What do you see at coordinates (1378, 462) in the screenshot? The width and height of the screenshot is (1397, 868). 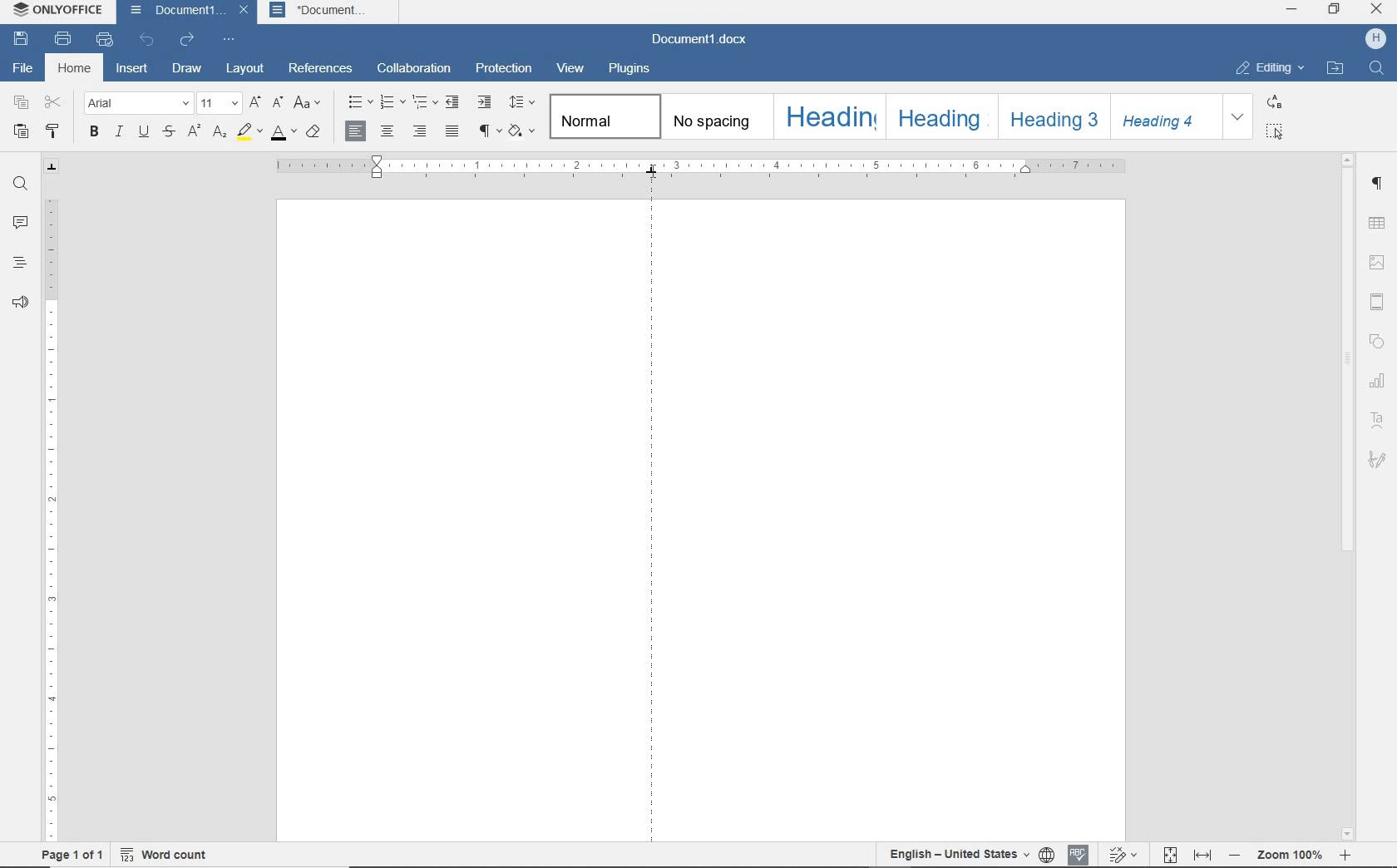 I see `SIGNATURE` at bounding box center [1378, 462].